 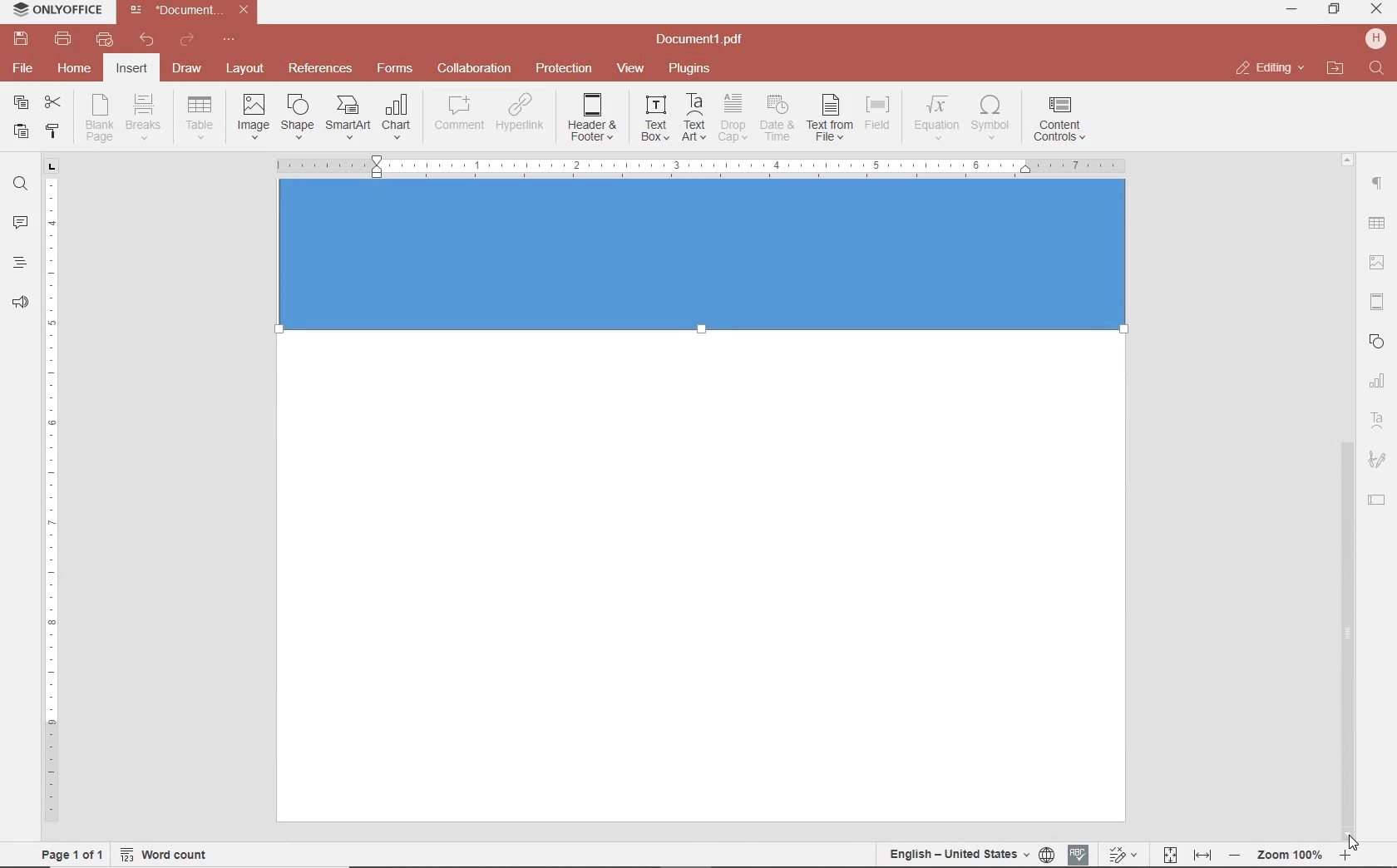 I want to click on insert drop down, so click(x=205, y=116).